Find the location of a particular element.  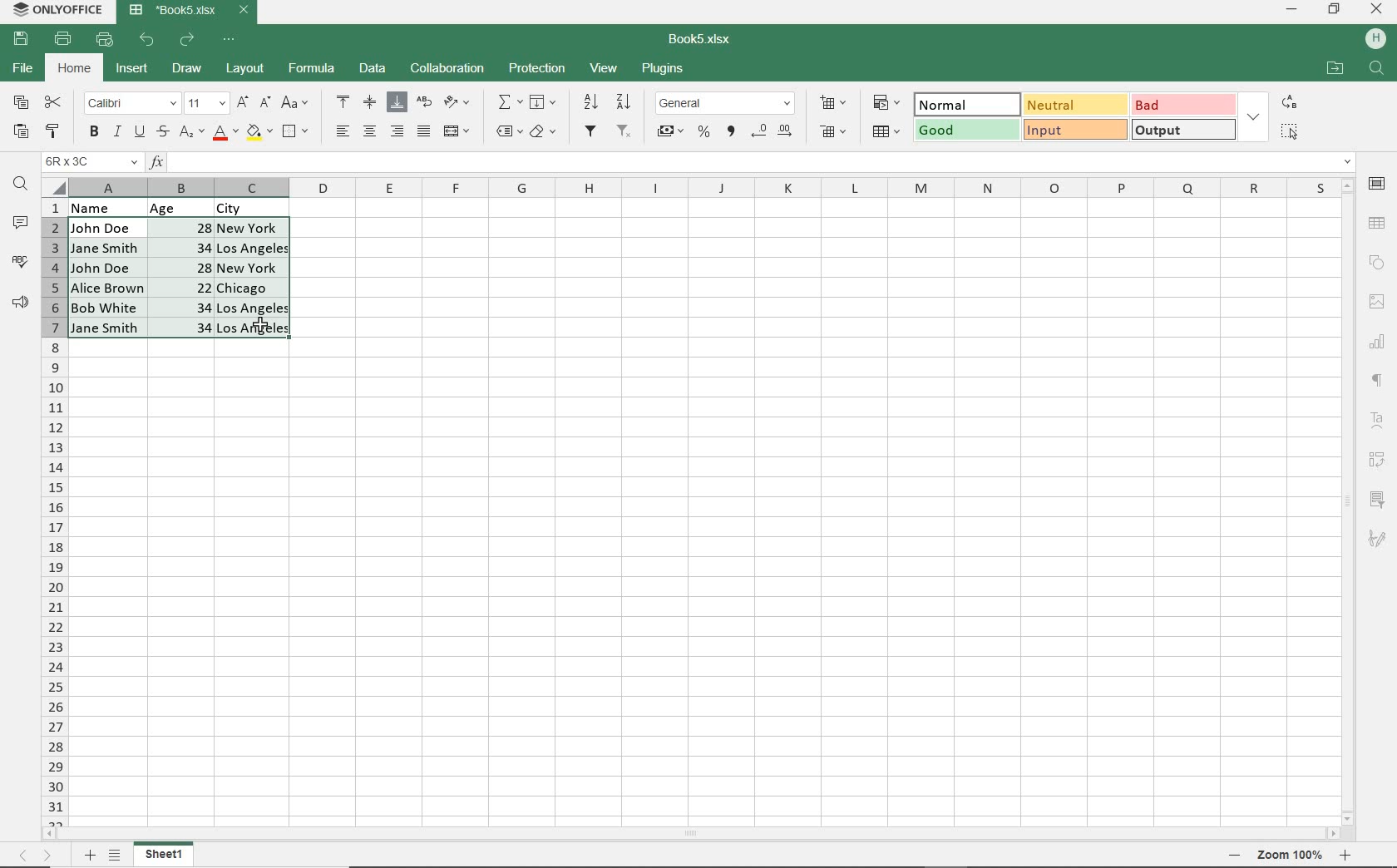

ITALIC is located at coordinates (116, 131).